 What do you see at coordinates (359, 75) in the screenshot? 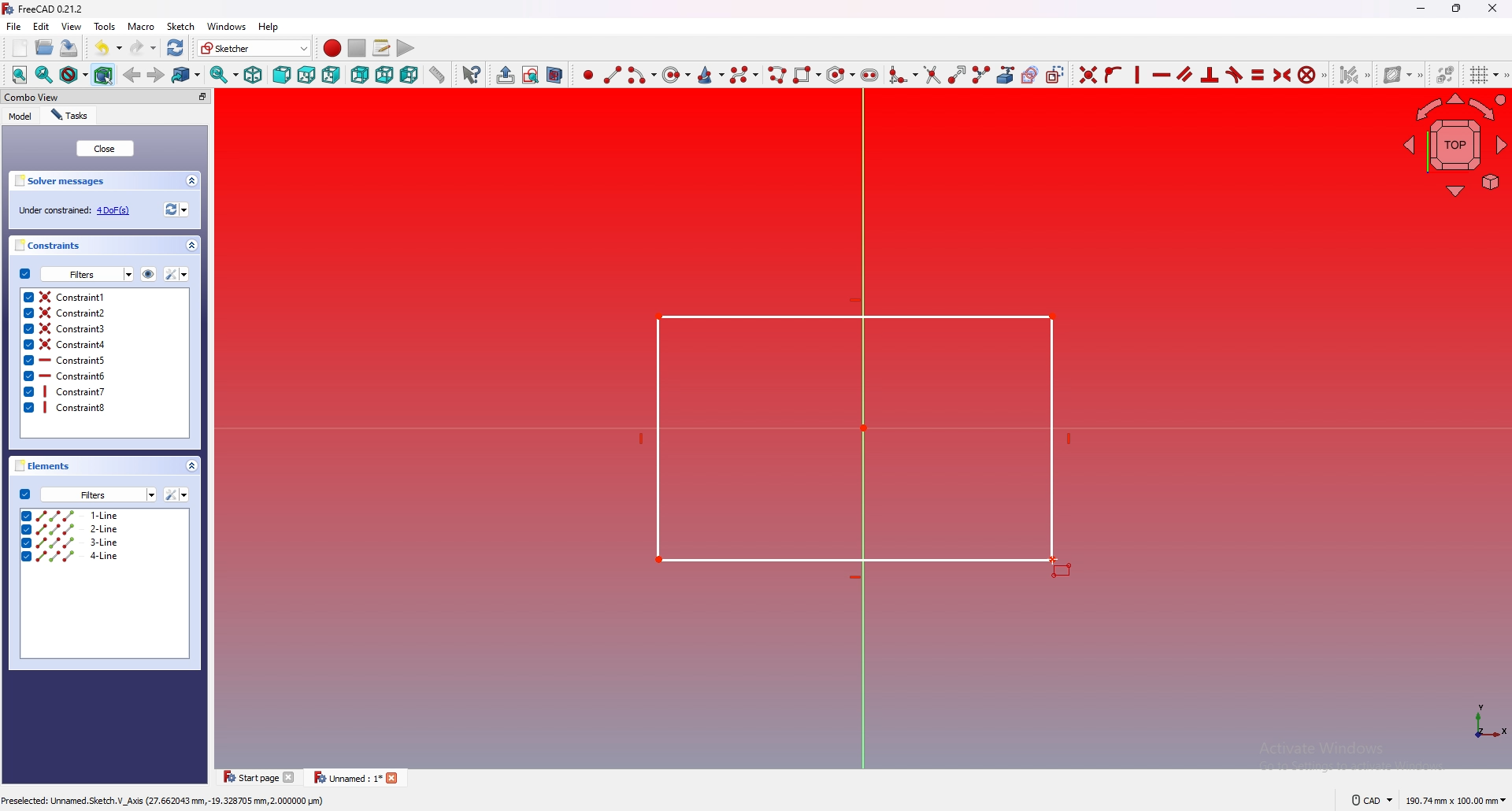
I see `rear` at bounding box center [359, 75].